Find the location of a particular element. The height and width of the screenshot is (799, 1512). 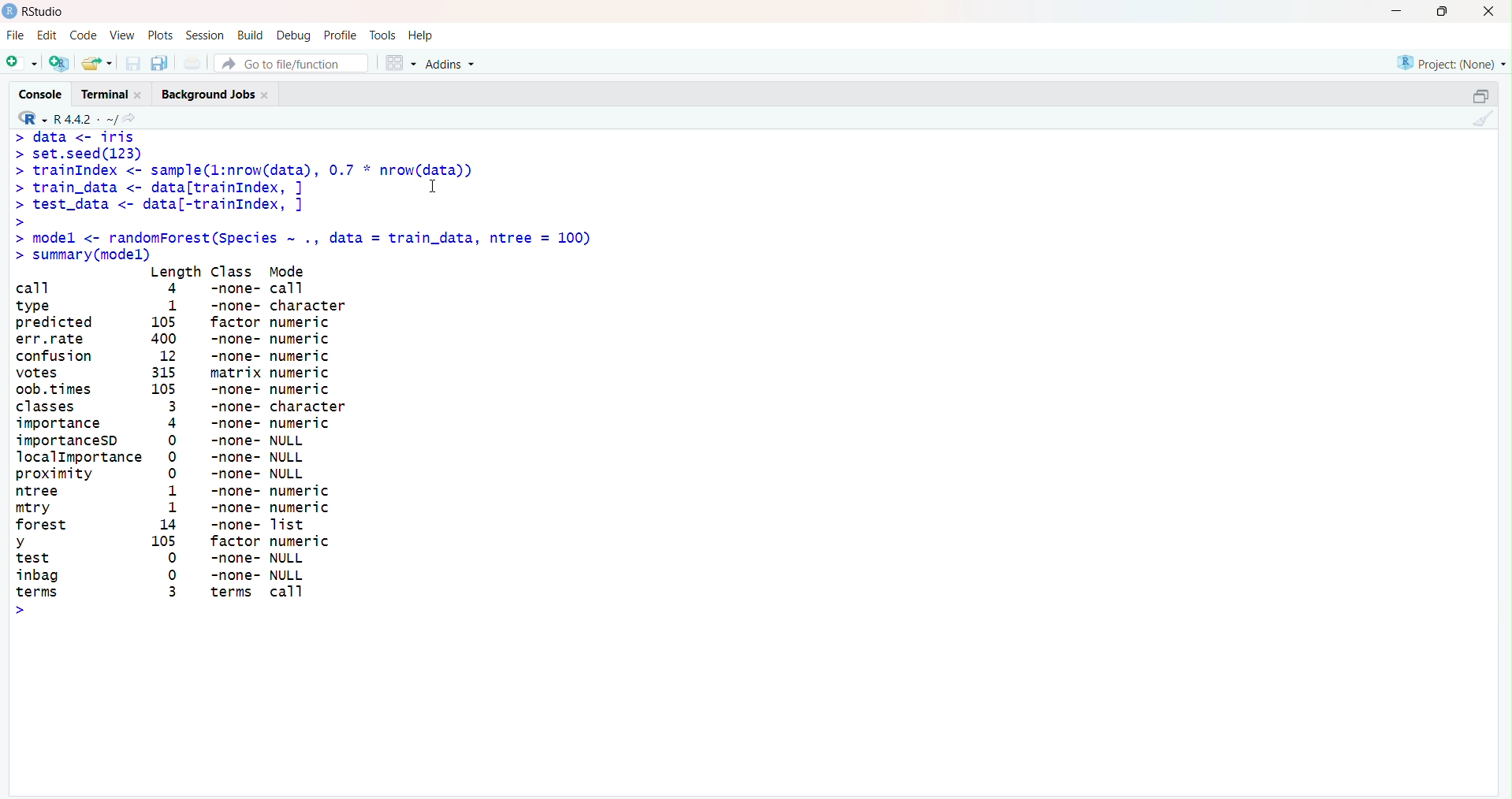

Addins is located at coordinates (452, 62).